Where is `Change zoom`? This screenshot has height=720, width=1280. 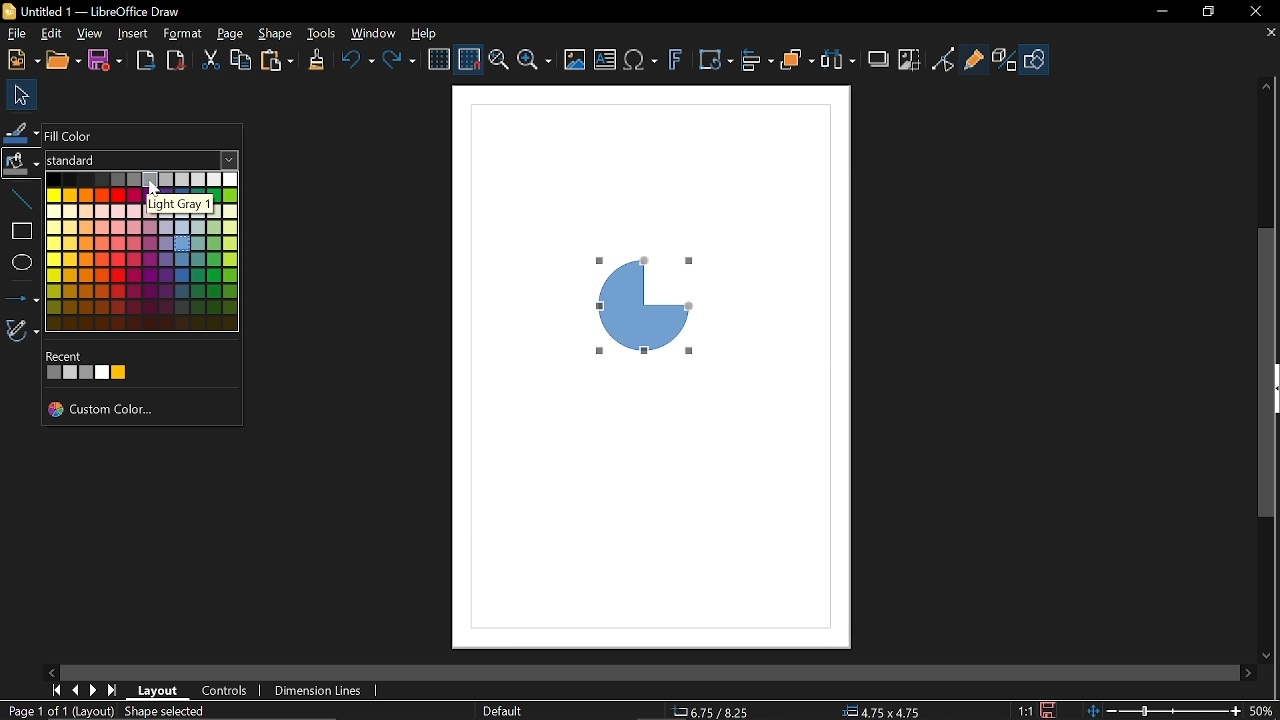
Change zoom is located at coordinates (1162, 711).